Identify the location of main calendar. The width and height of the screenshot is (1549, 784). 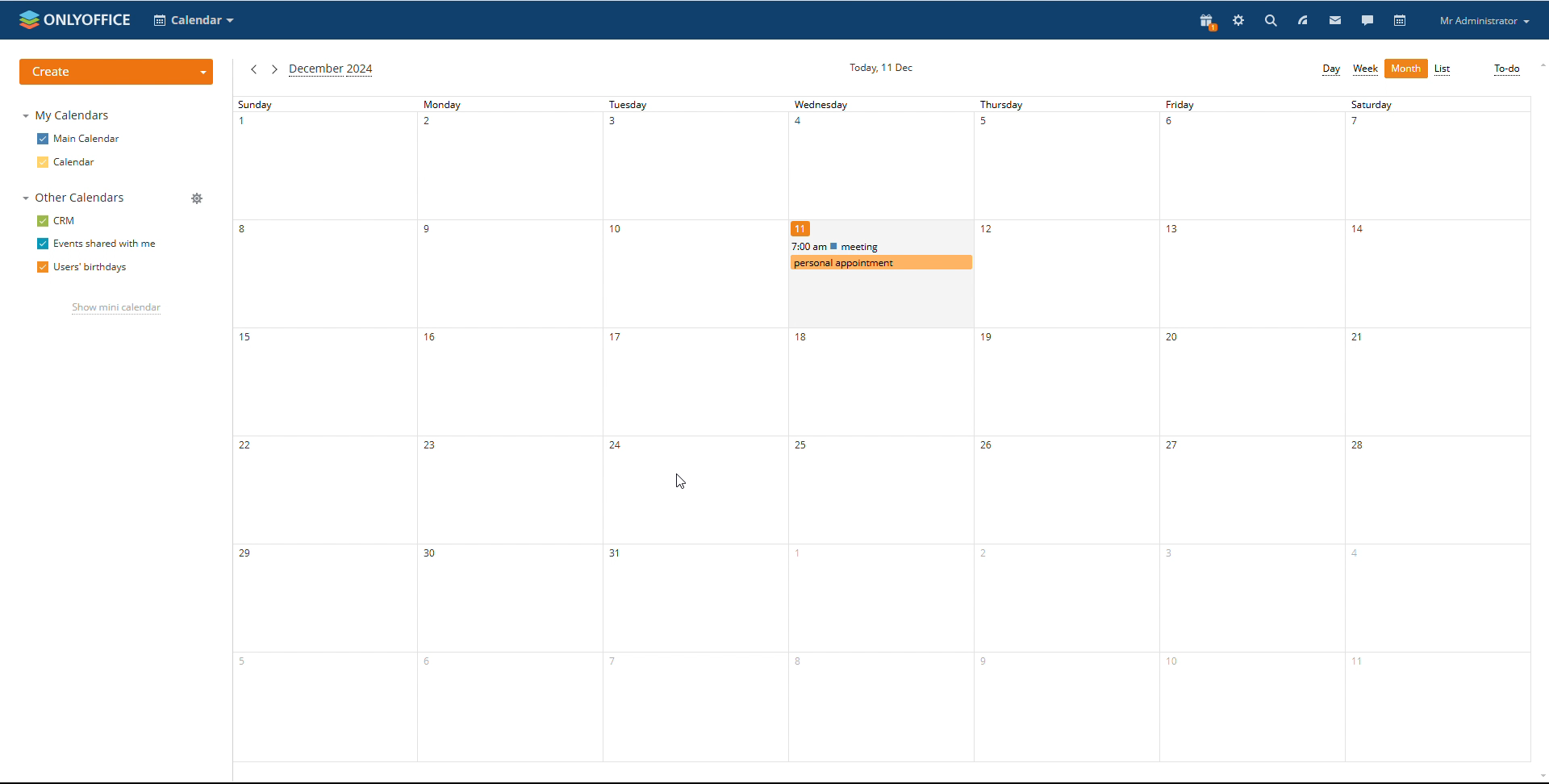
(82, 137).